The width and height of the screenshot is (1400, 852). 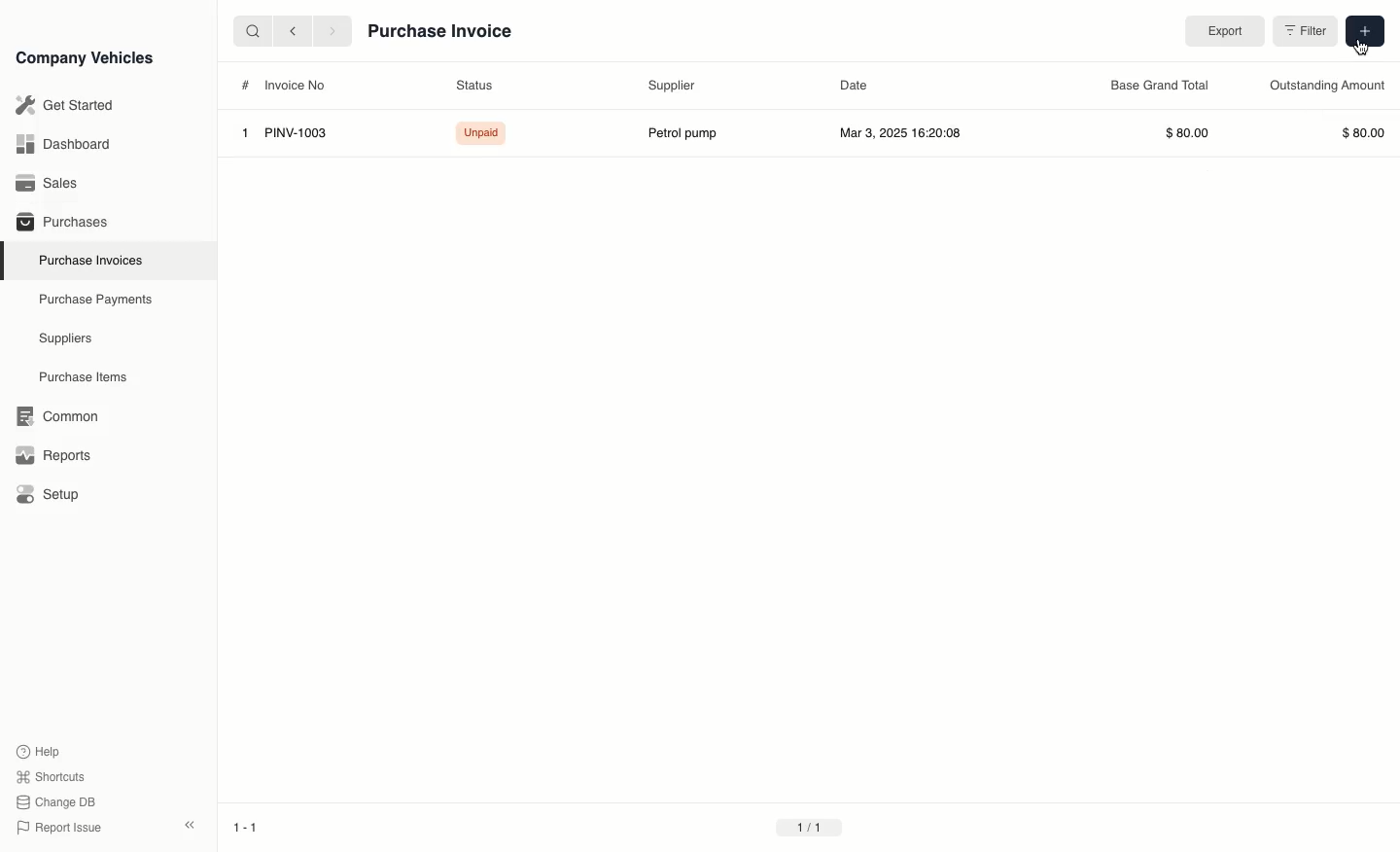 I want to click on Report issue, so click(x=62, y=829).